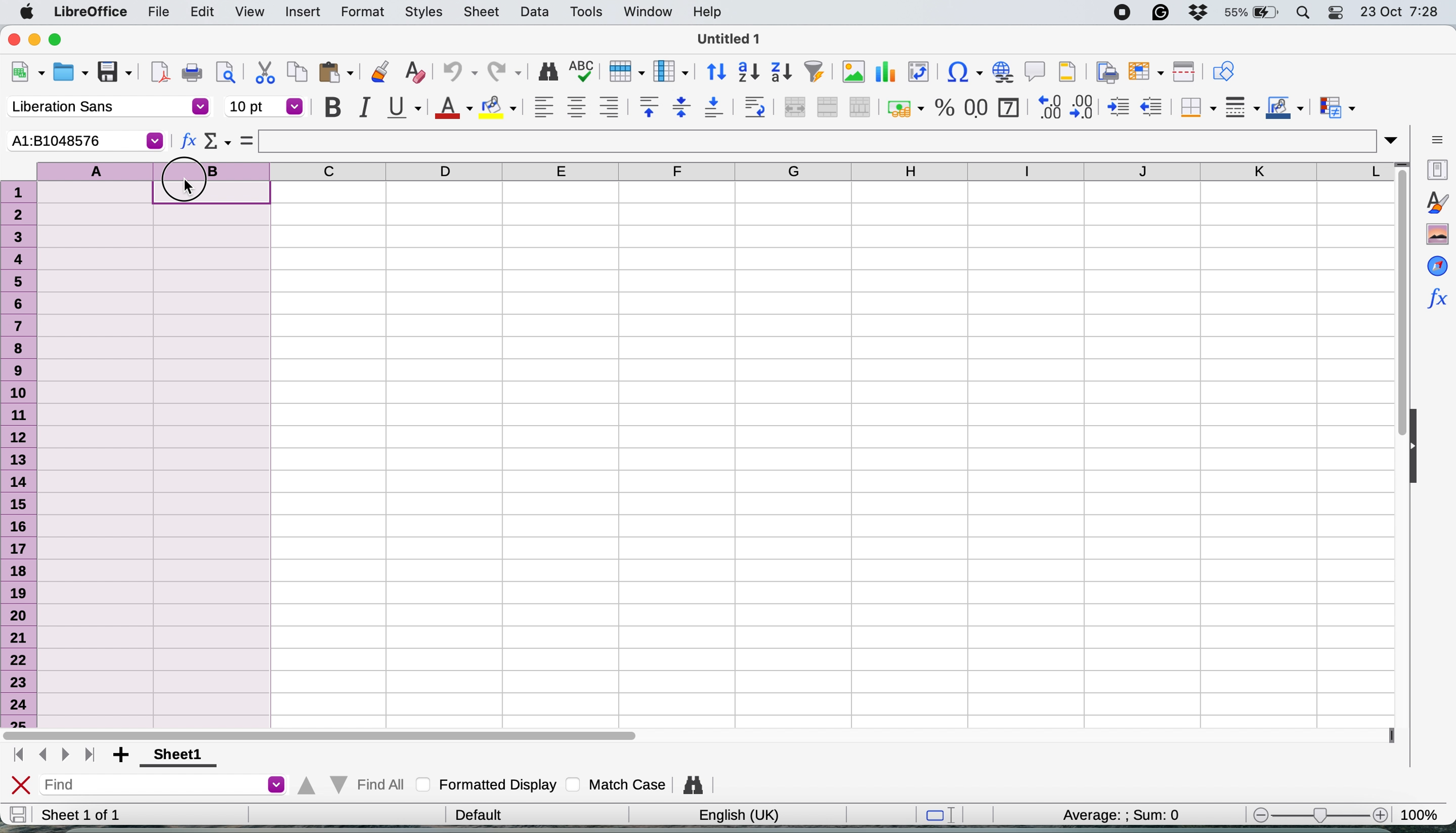 The image size is (1456, 833). Describe the element at coordinates (52, 755) in the screenshot. I see `switch between sheets` at that location.